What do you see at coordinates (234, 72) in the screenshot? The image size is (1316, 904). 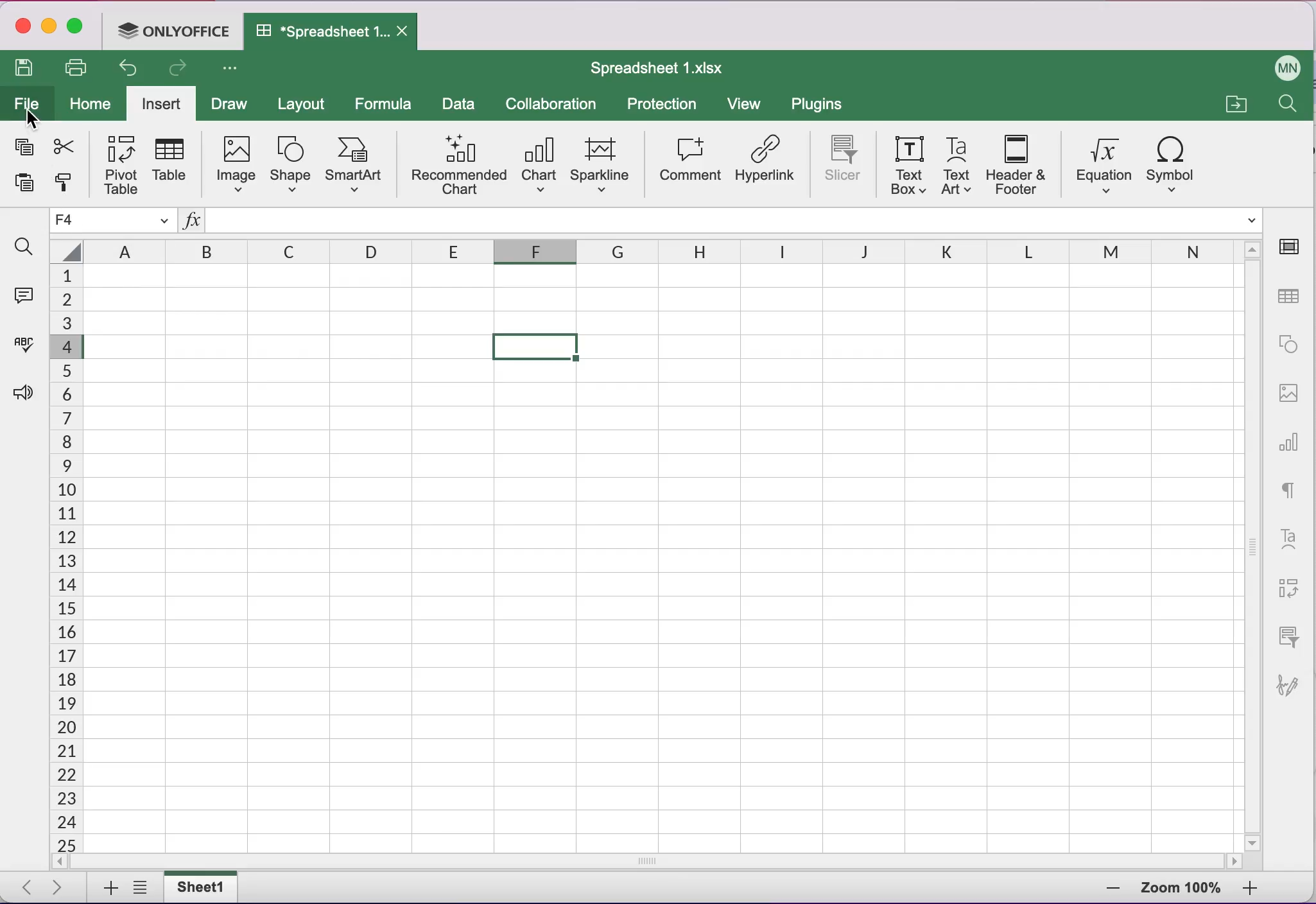 I see `more options` at bounding box center [234, 72].